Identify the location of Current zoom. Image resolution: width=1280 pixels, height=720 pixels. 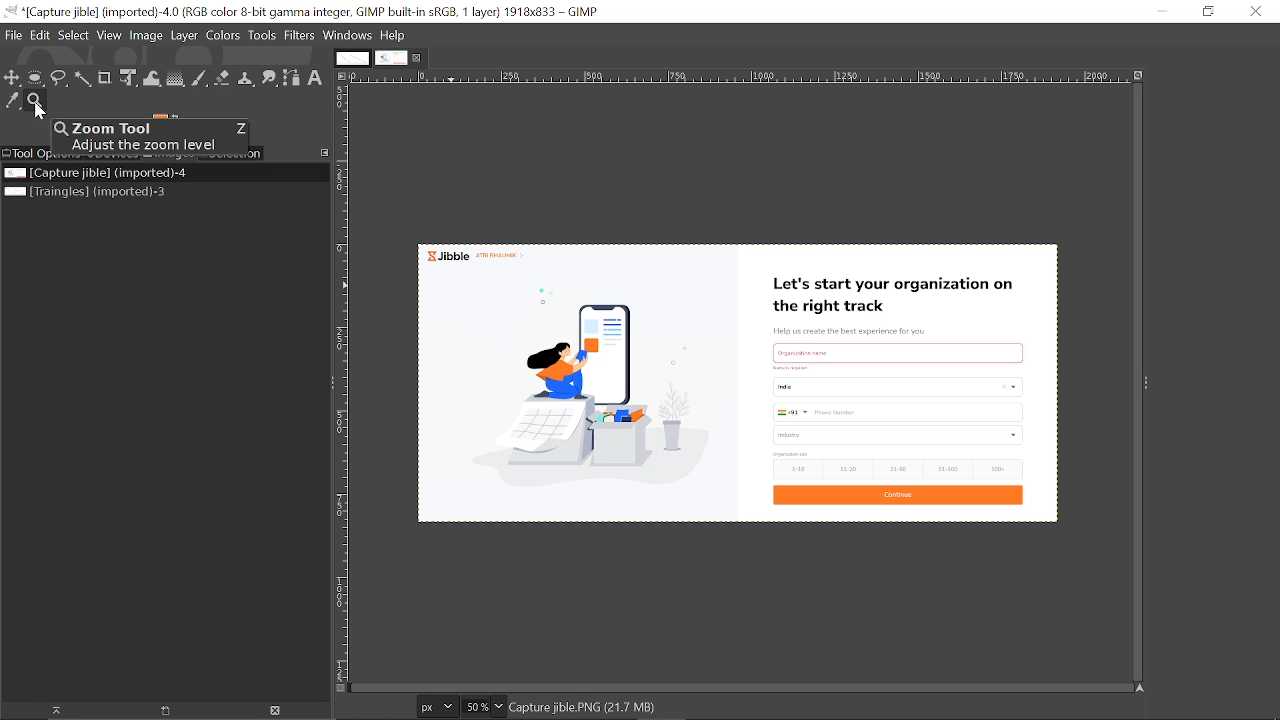
(475, 706).